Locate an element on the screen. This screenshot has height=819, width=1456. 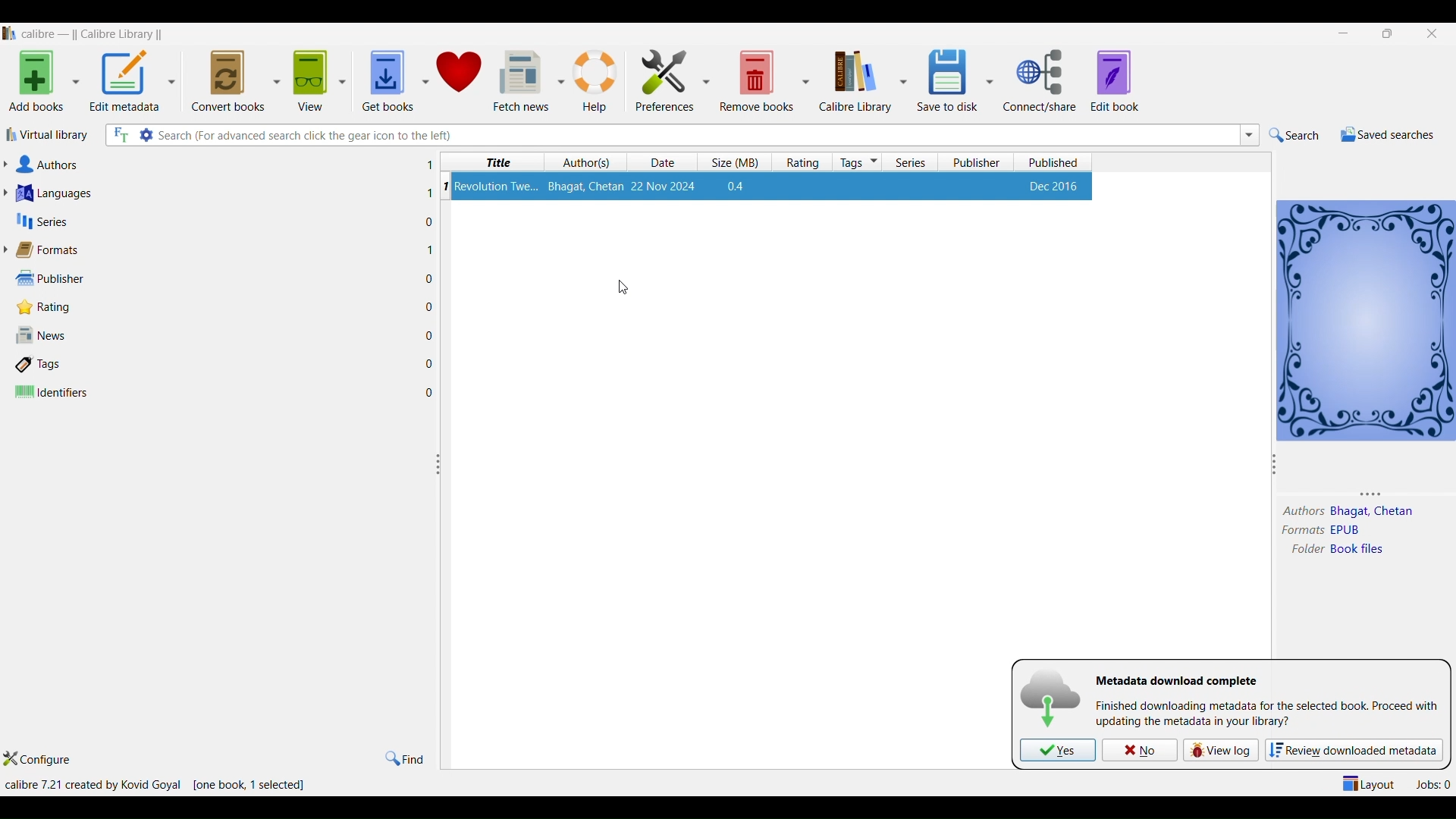
search box is located at coordinates (695, 135).